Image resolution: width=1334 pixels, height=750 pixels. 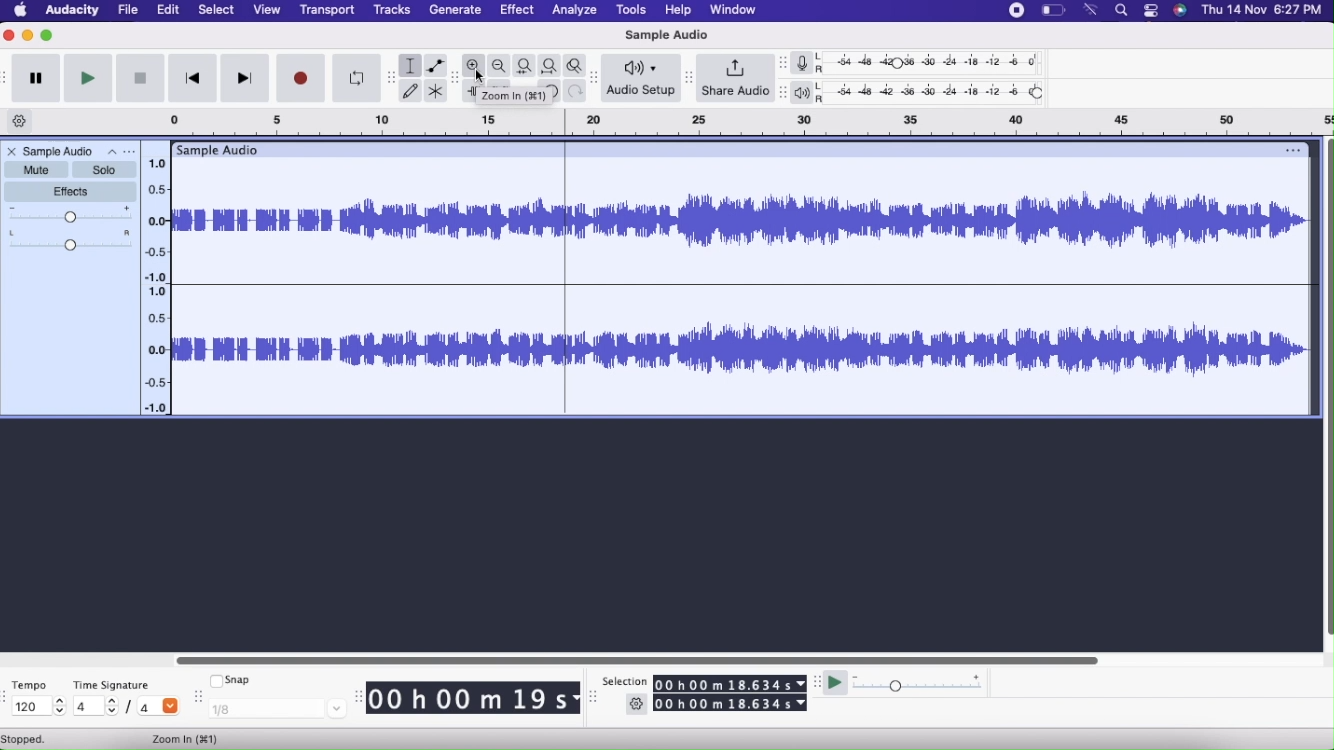 What do you see at coordinates (782, 64) in the screenshot?
I see `resize` at bounding box center [782, 64].